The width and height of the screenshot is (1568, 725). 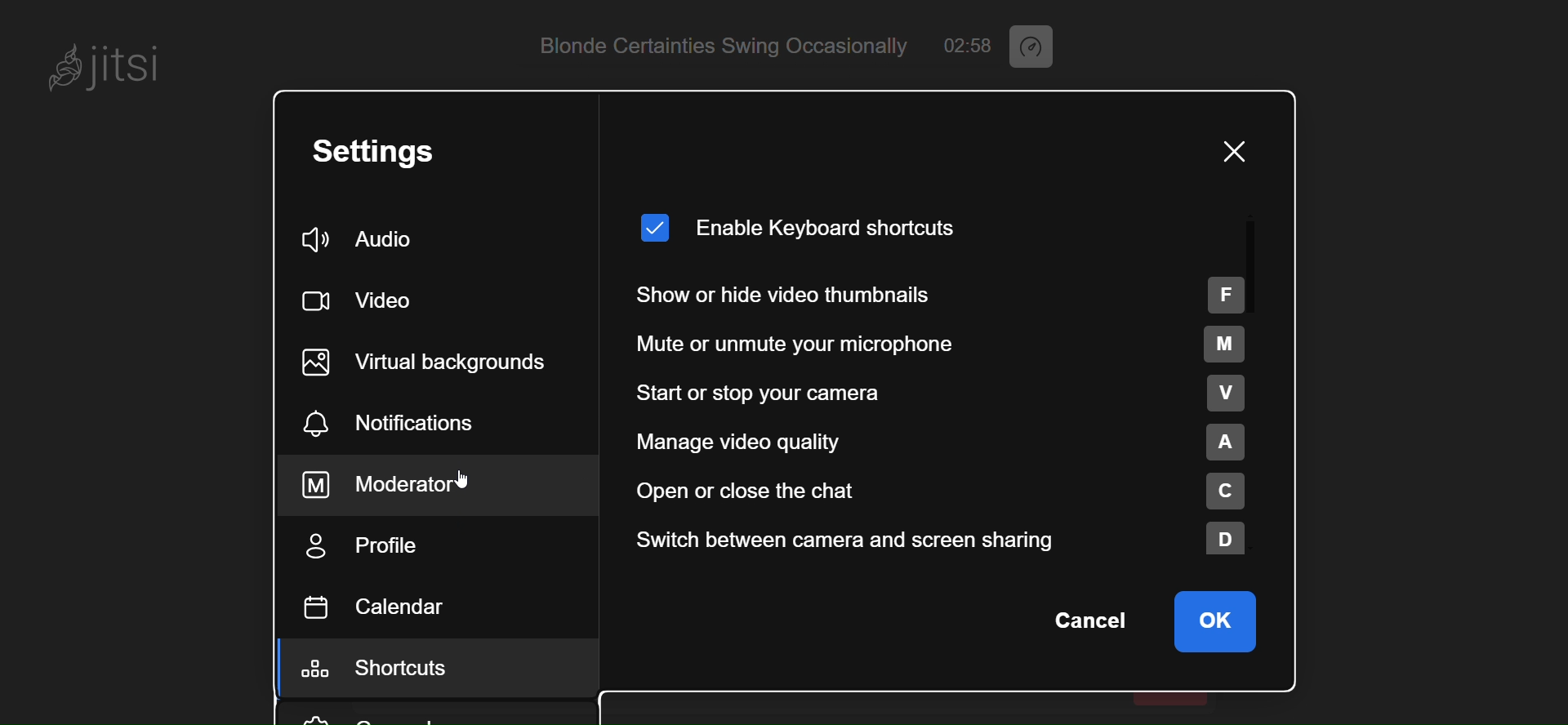 I want to click on cursor, so click(x=457, y=481).